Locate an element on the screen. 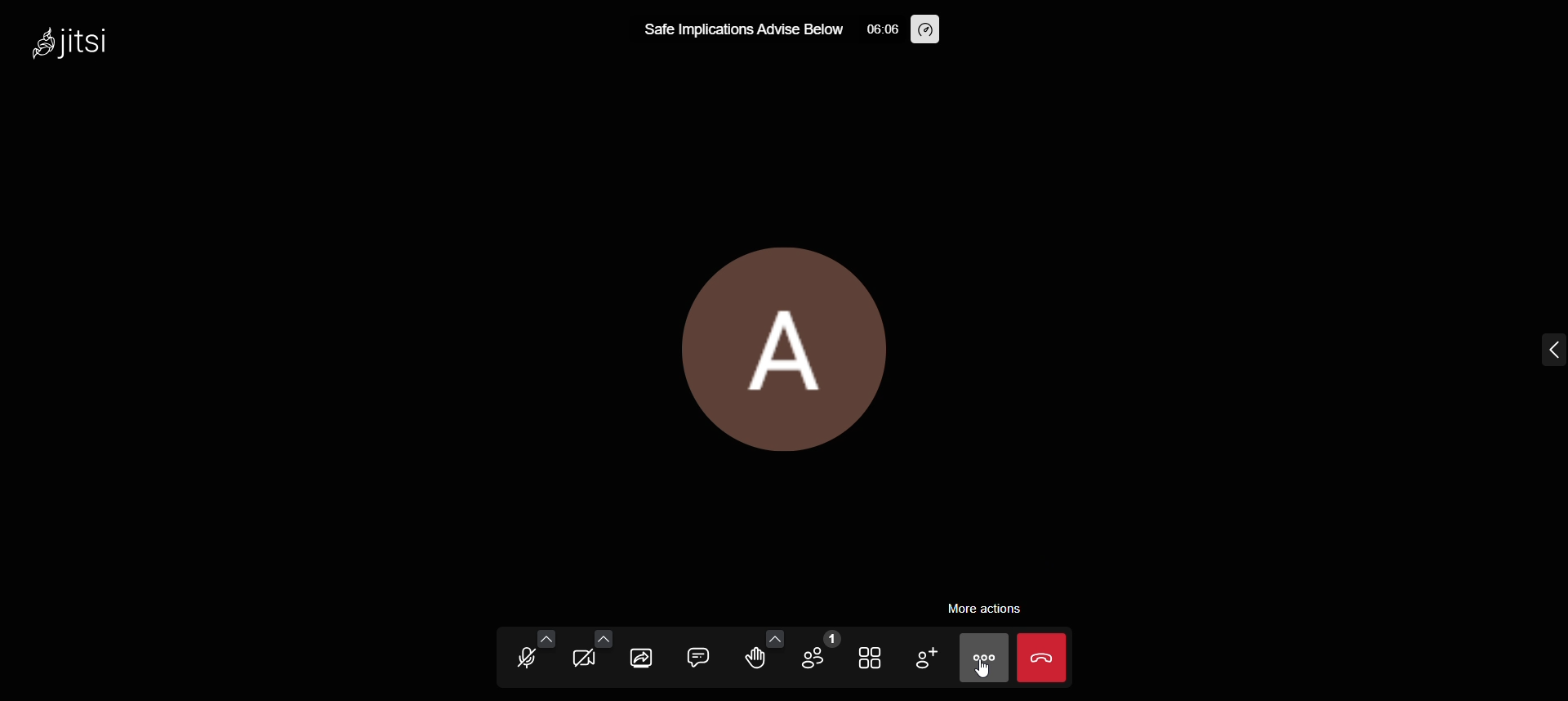 The width and height of the screenshot is (1568, 701). display picture is located at coordinates (783, 349).